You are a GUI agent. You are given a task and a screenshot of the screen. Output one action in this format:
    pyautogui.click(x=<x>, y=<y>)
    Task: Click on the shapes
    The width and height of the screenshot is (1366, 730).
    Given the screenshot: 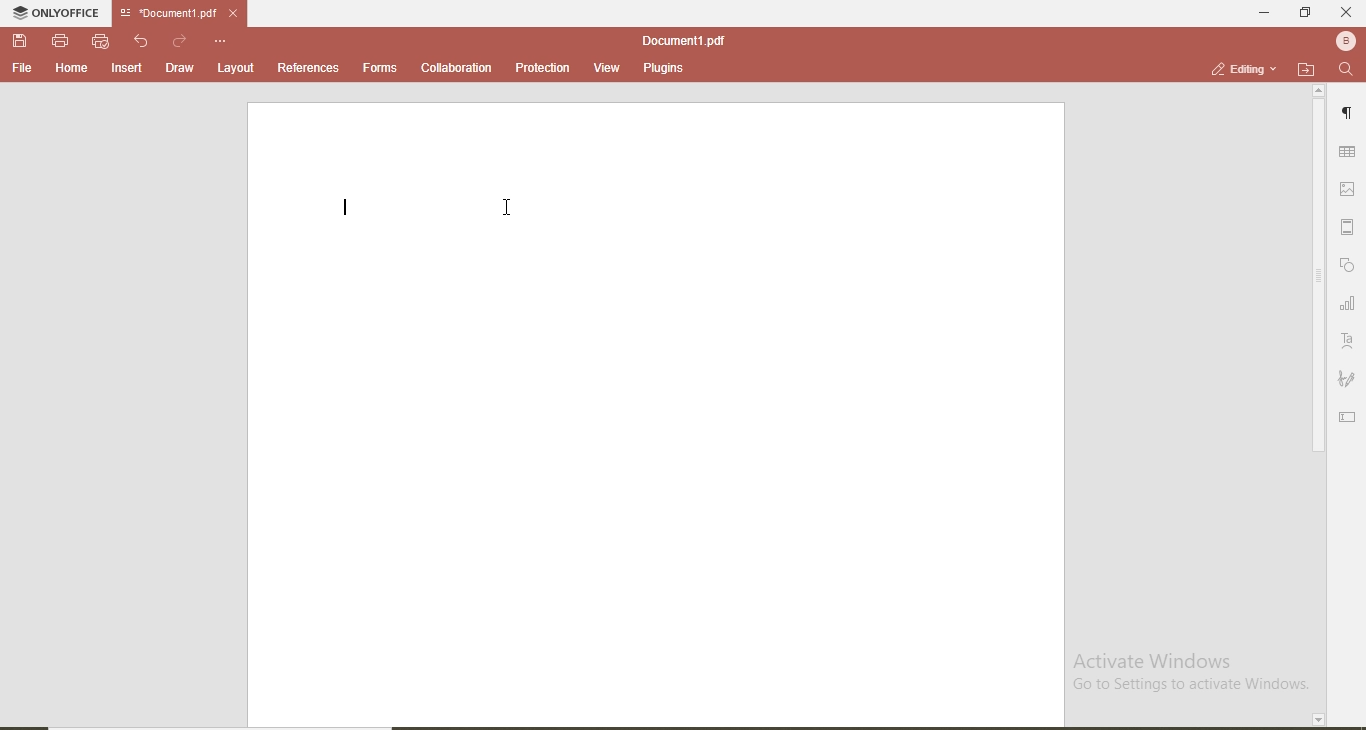 What is the action you would take?
    pyautogui.click(x=1350, y=265)
    